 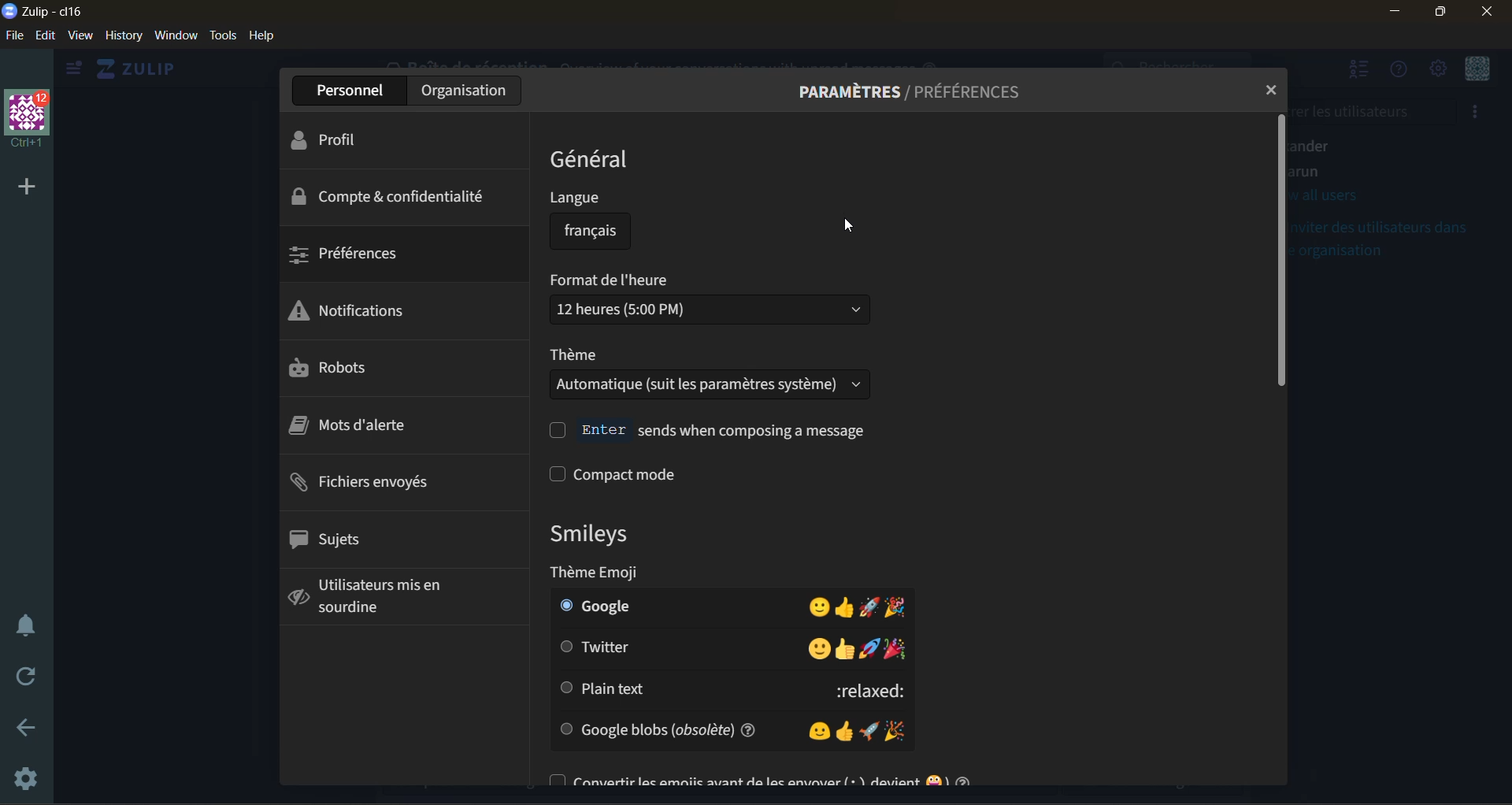 I want to click on bots, so click(x=317, y=366).